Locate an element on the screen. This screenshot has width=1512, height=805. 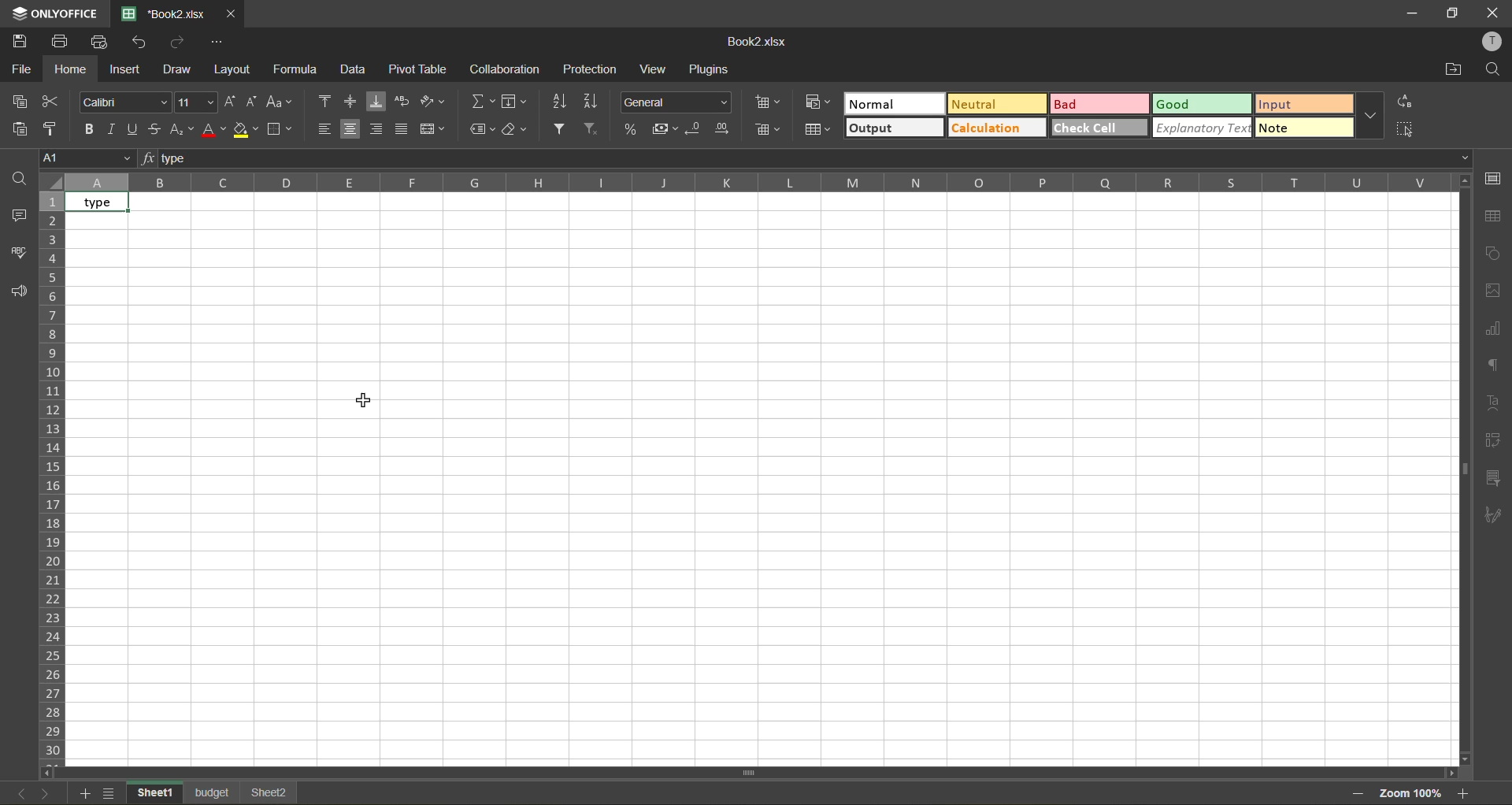
cell address is located at coordinates (86, 158).